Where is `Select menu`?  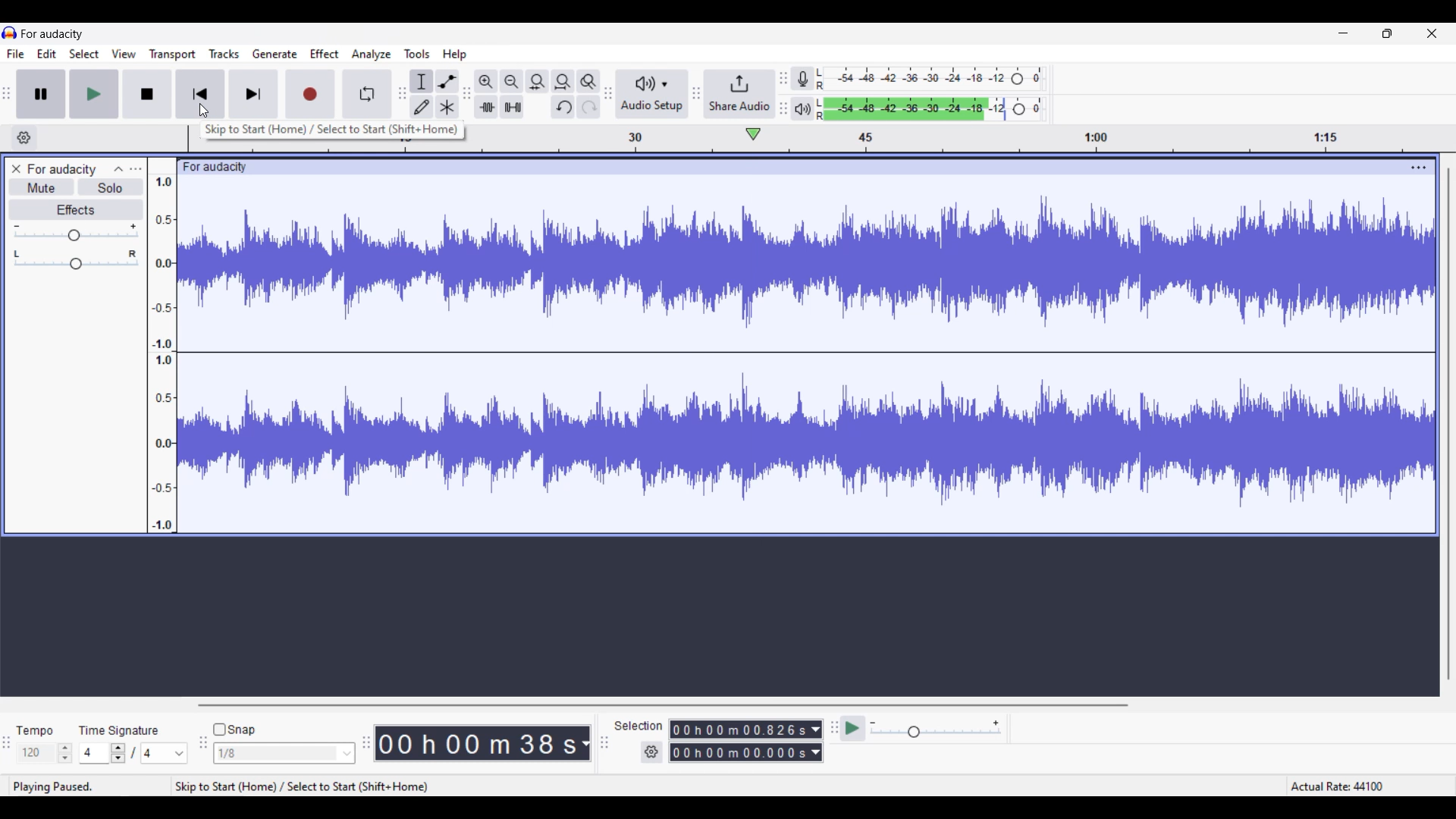
Select menu is located at coordinates (84, 54).